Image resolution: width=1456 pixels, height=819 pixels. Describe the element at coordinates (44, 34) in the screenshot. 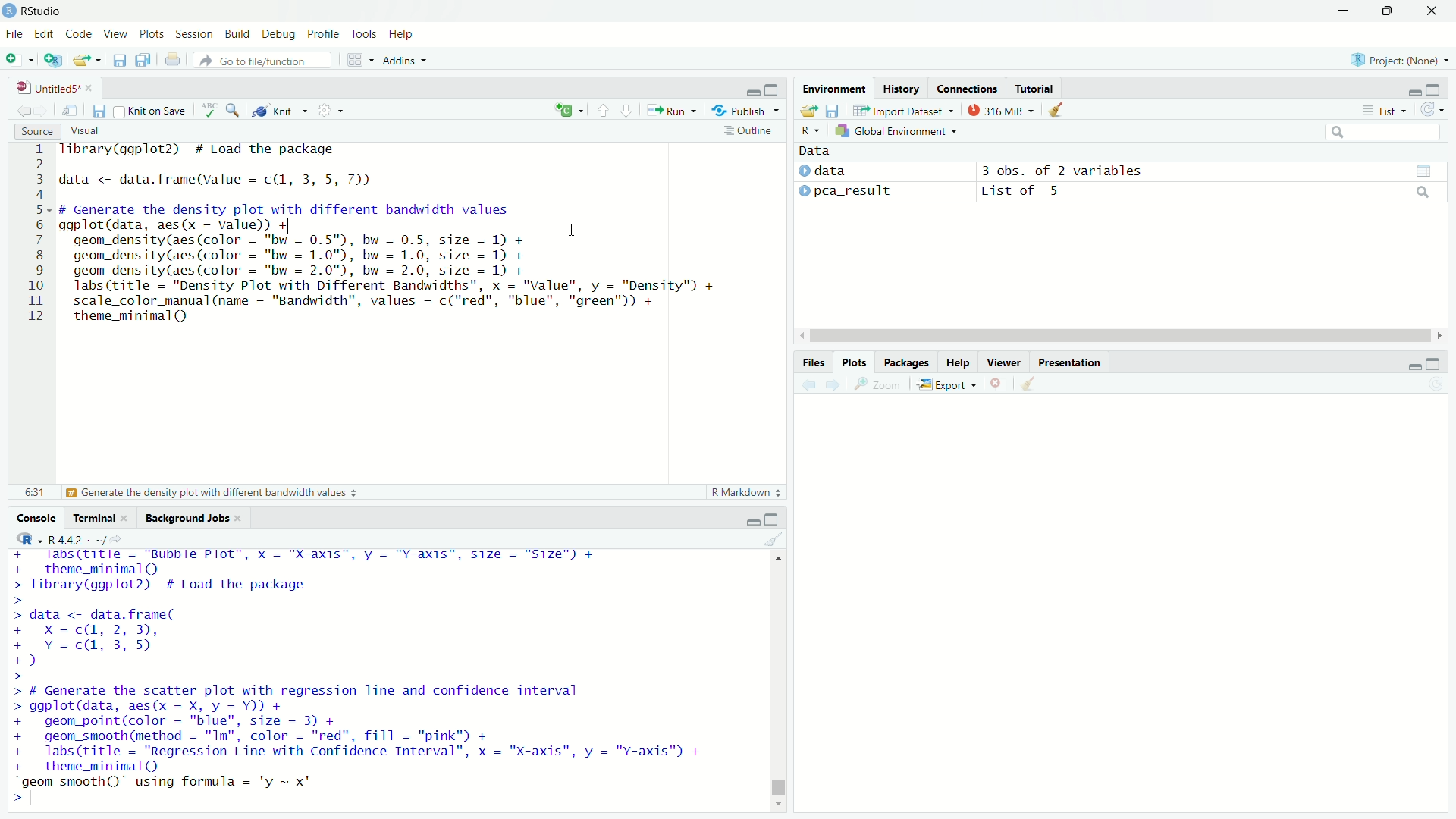

I see `Edit` at that location.